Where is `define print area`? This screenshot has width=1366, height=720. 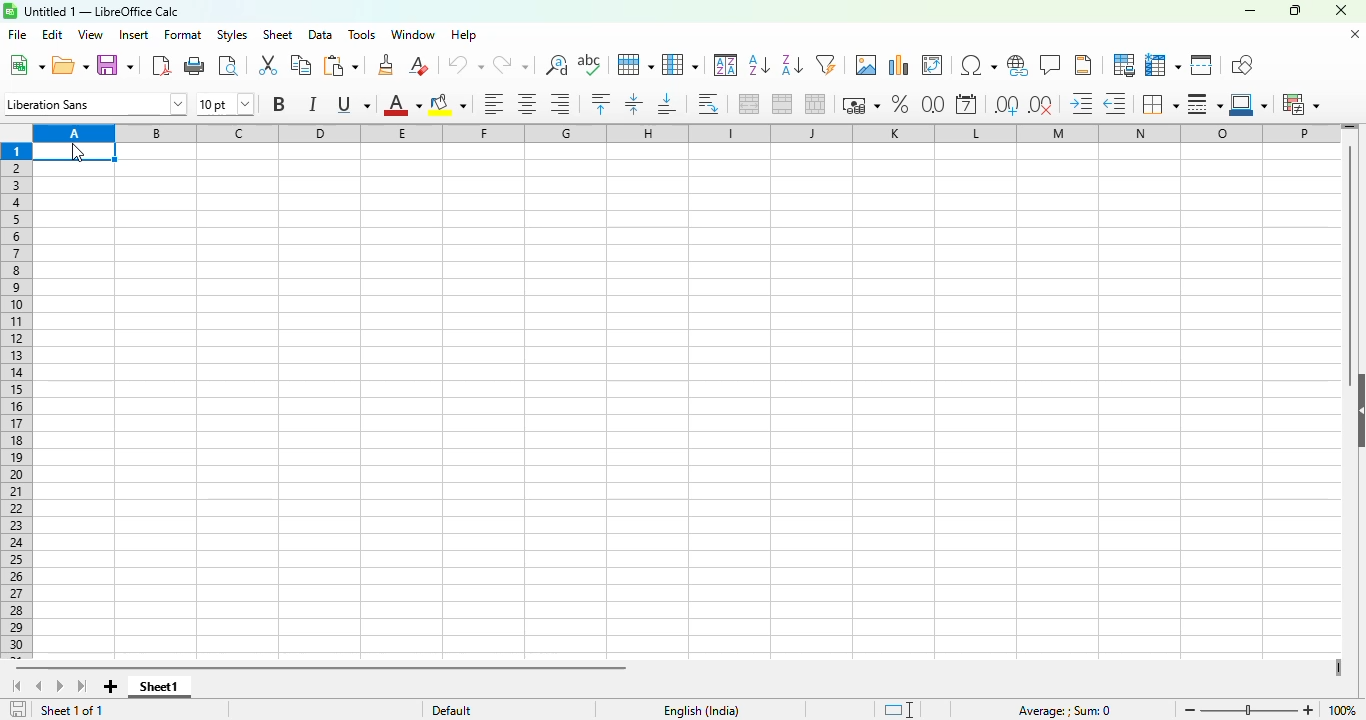
define print area is located at coordinates (1123, 64).